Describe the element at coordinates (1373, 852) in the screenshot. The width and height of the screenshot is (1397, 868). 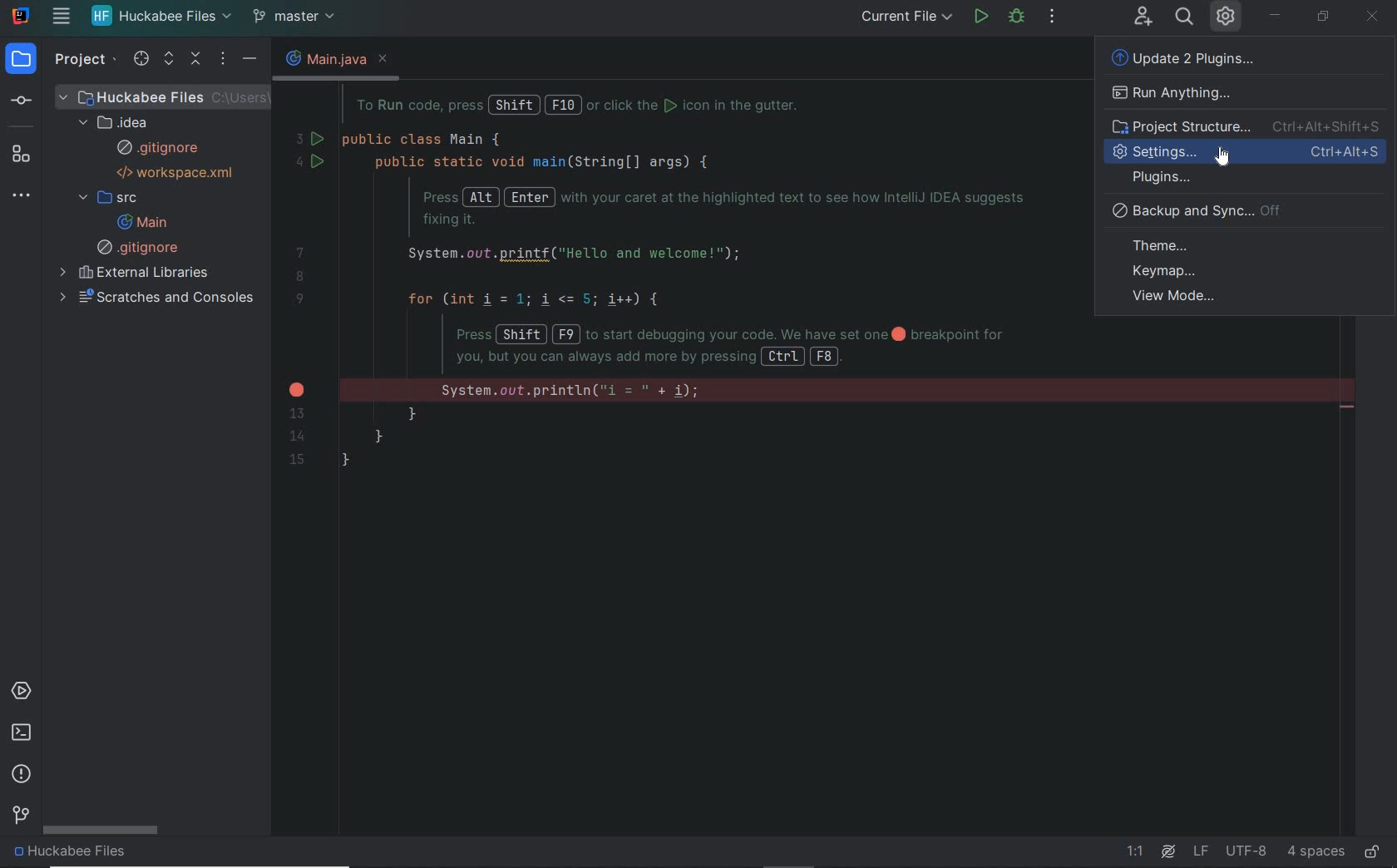
I see `make file ready only` at that location.